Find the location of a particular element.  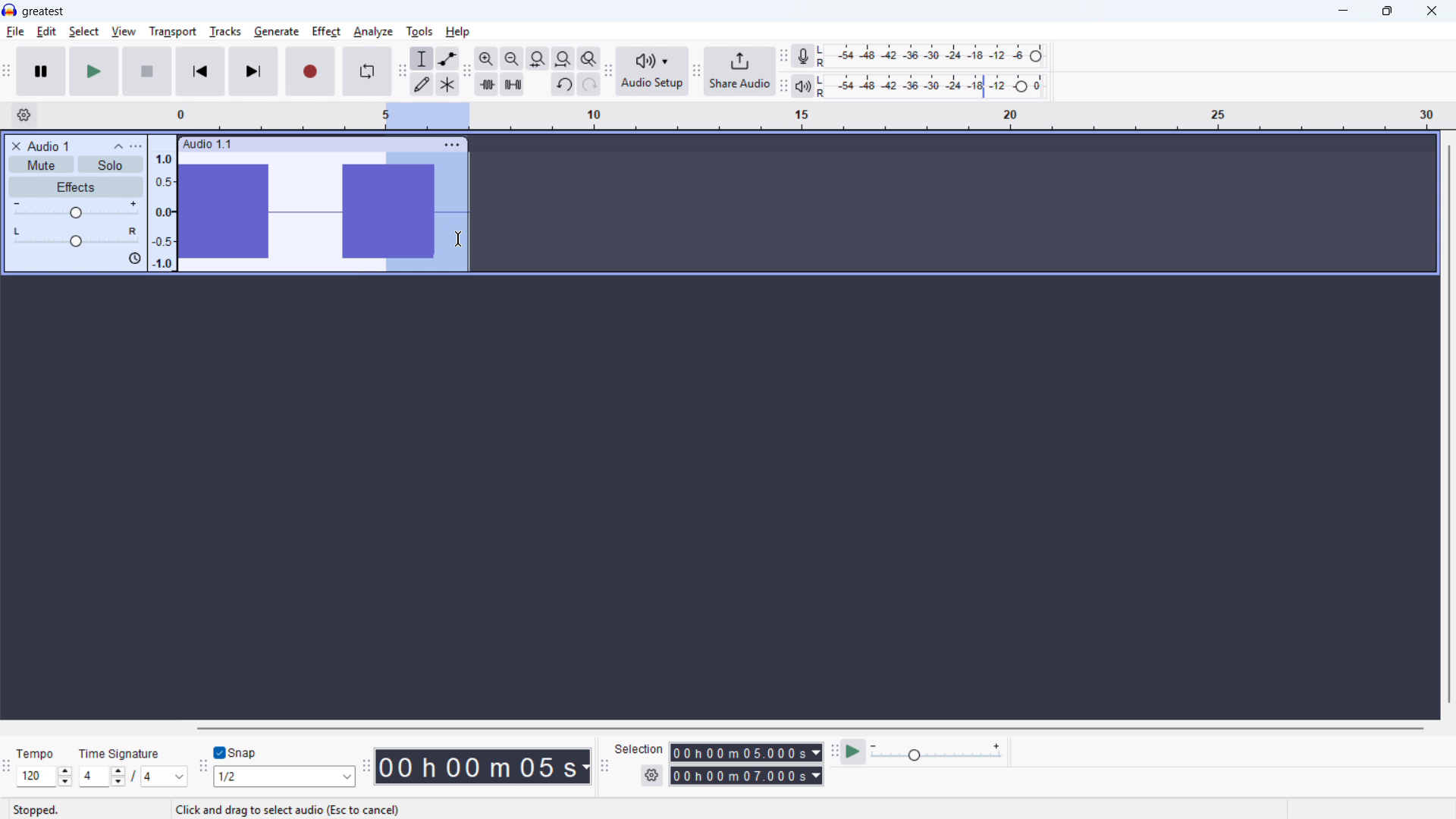

Envelope tool  is located at coordinates (448, 58).